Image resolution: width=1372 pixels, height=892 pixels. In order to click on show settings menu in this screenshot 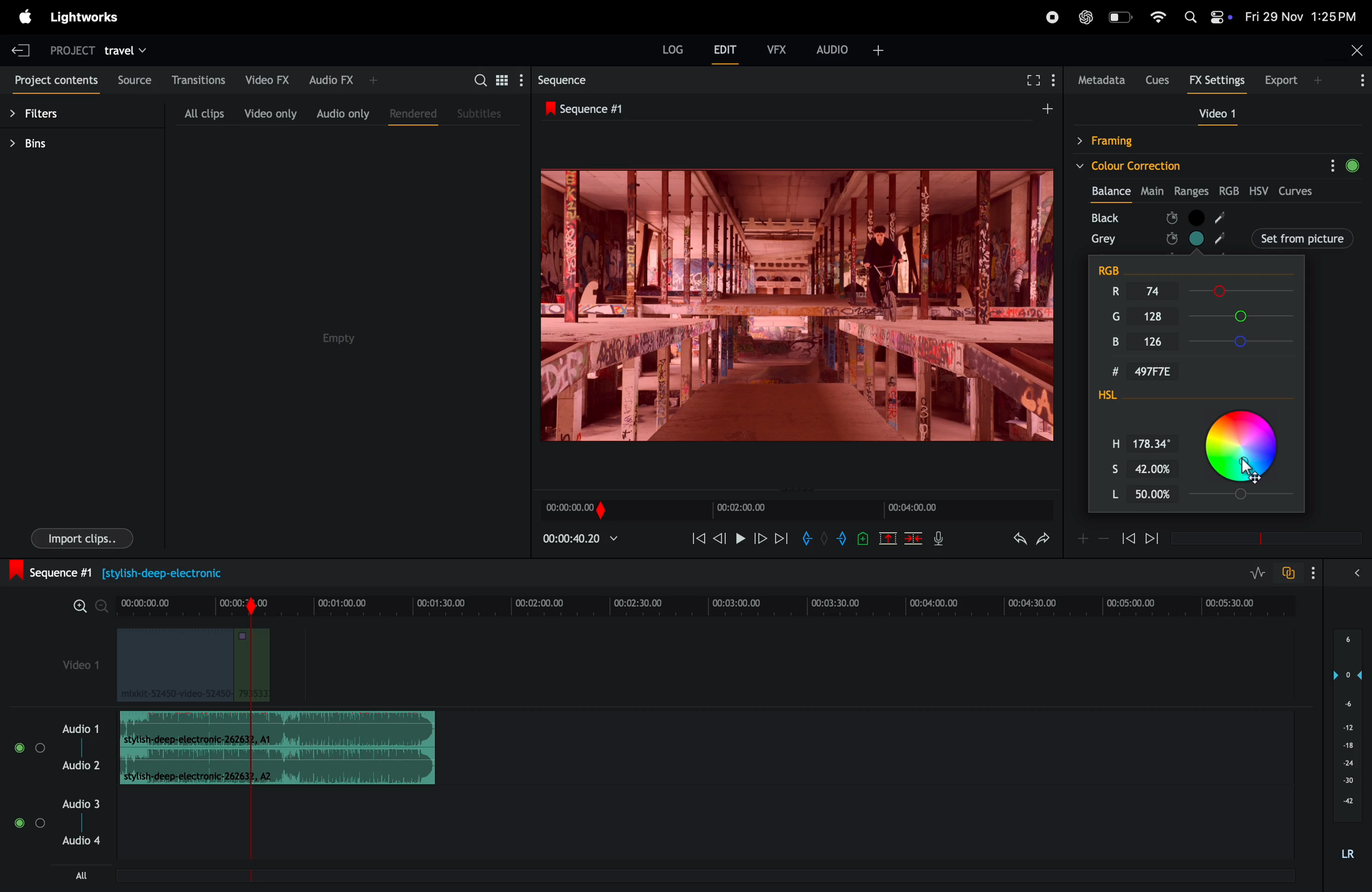, I will do `click(525, 79)`.